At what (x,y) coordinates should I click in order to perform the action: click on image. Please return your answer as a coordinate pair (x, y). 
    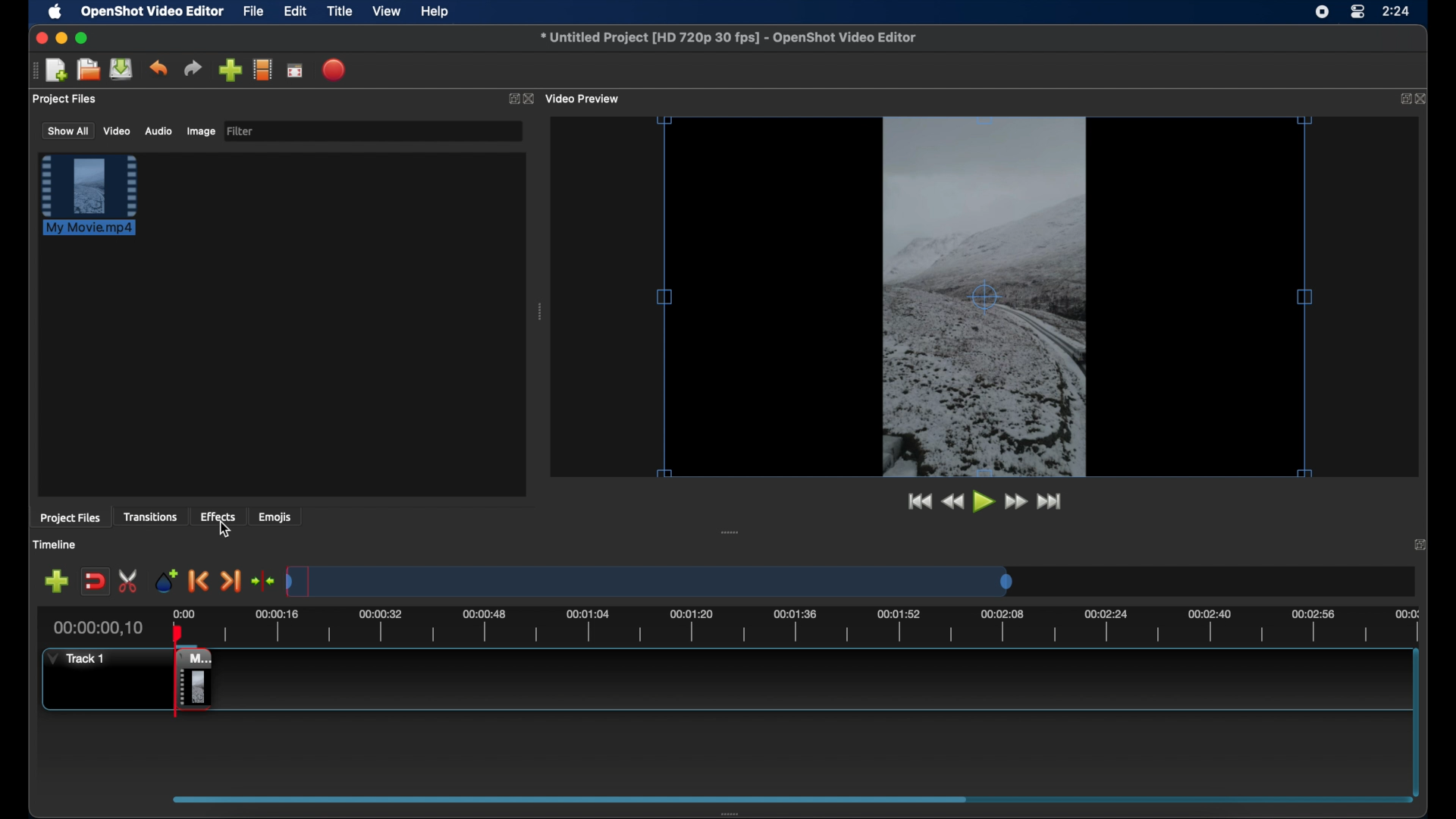
    Looking at the image, I should click on (200, 131).